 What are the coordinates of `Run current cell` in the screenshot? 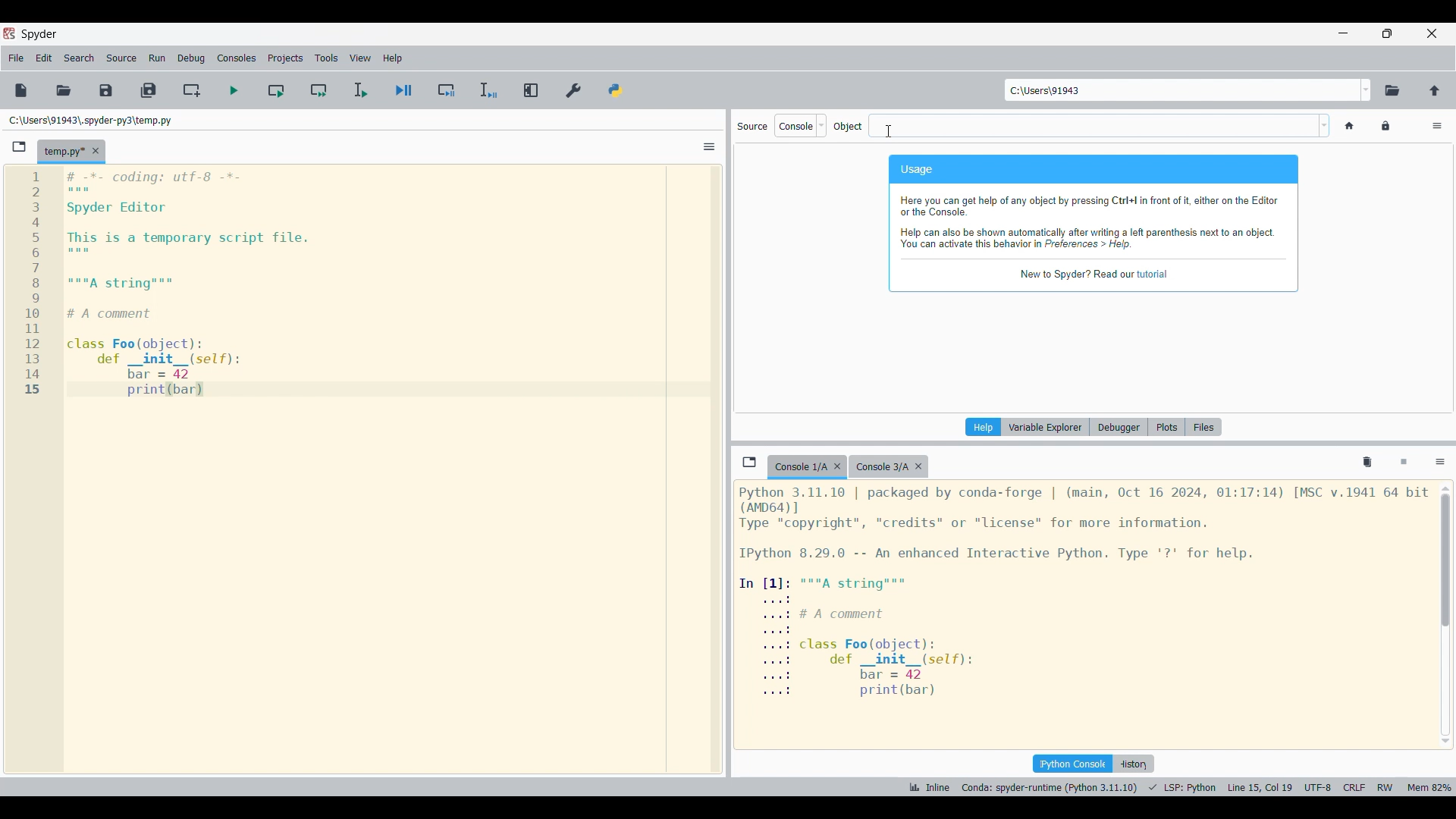 It's located at (277, 90).